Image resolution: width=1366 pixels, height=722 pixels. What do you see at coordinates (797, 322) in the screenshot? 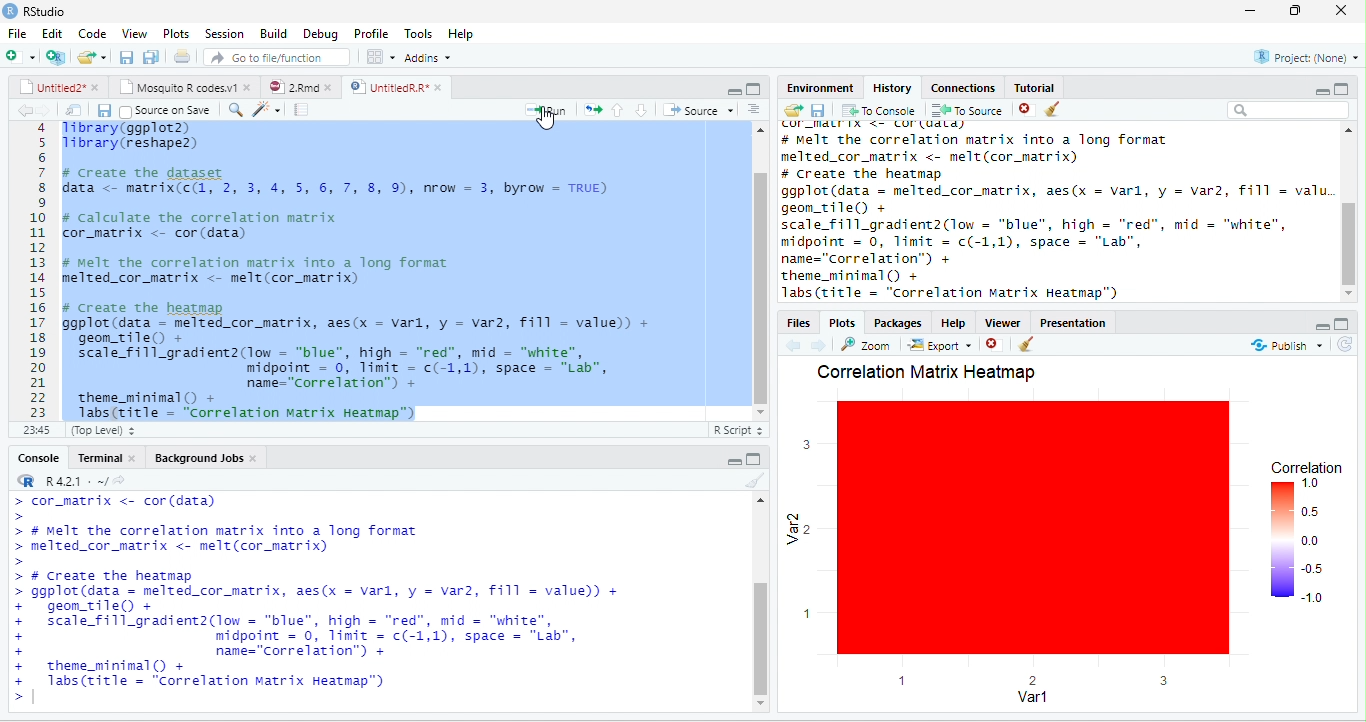
I see `files` at bounding box center [797, 322].